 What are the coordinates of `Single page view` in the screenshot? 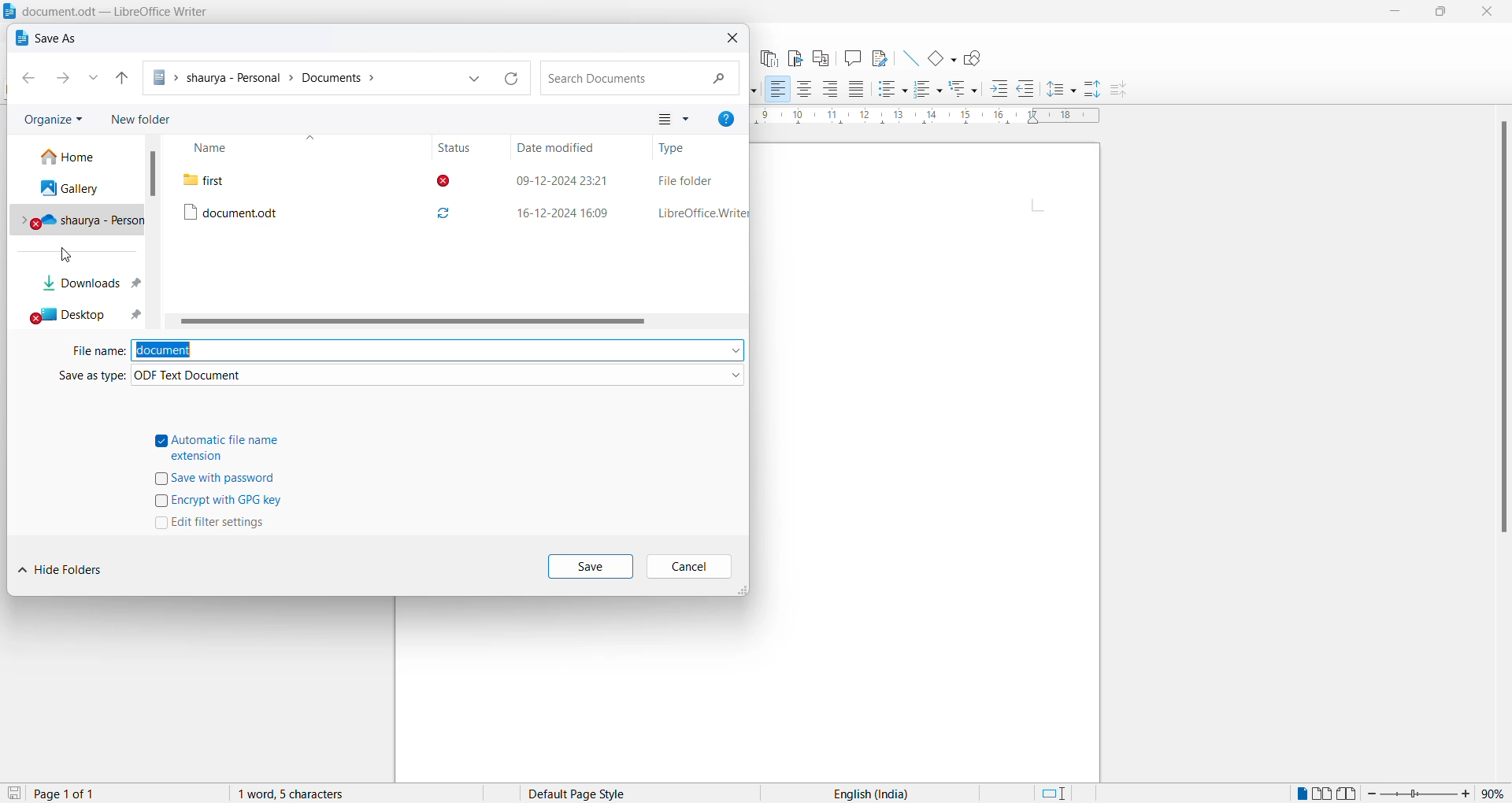 It's located at (1300, 794).